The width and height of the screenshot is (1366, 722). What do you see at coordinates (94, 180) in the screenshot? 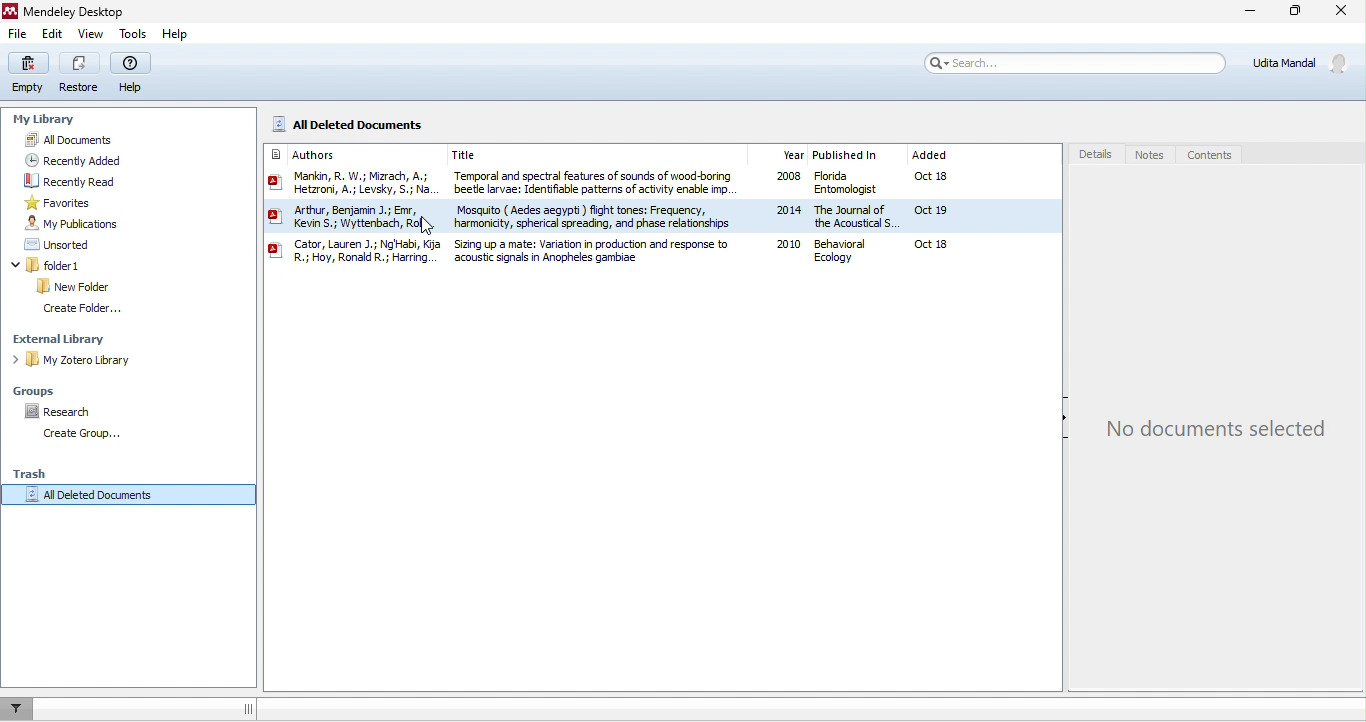
I see `recently read` at bounding box center [94, 180].